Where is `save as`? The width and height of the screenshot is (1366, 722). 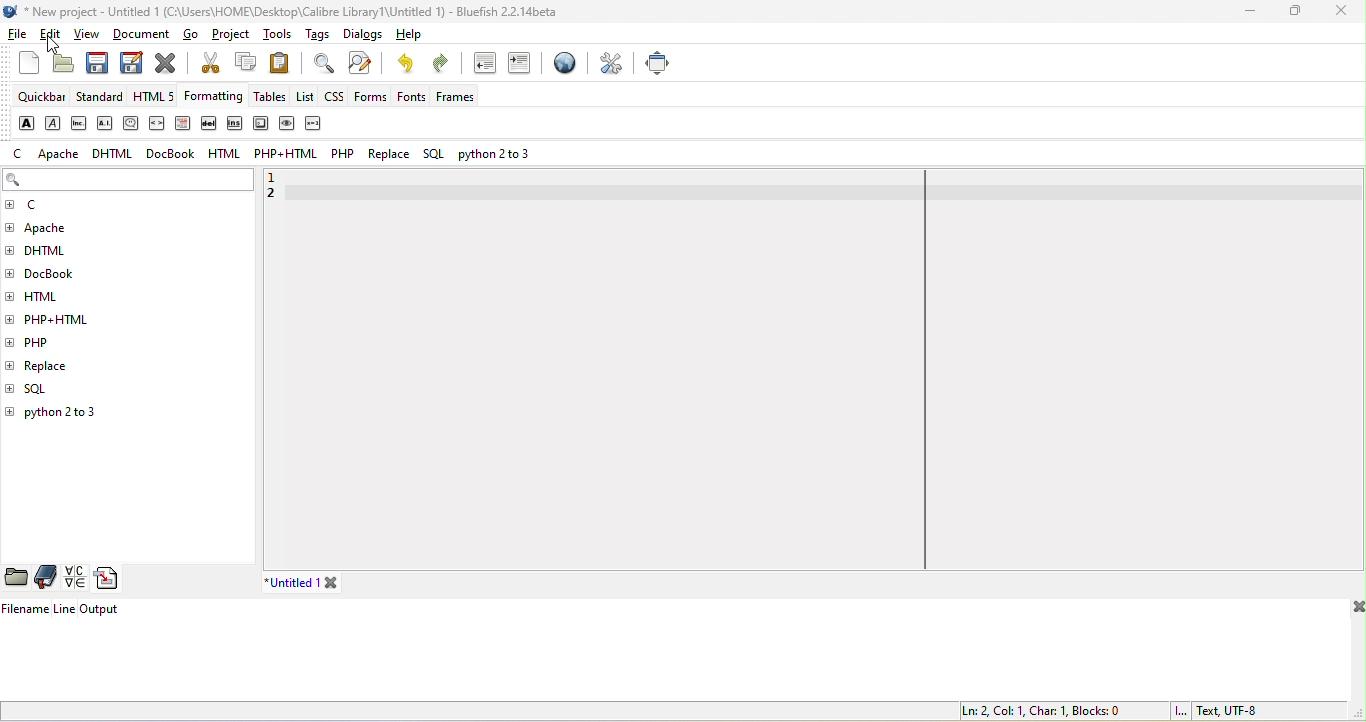
save as is located at coordinates (129, 62).